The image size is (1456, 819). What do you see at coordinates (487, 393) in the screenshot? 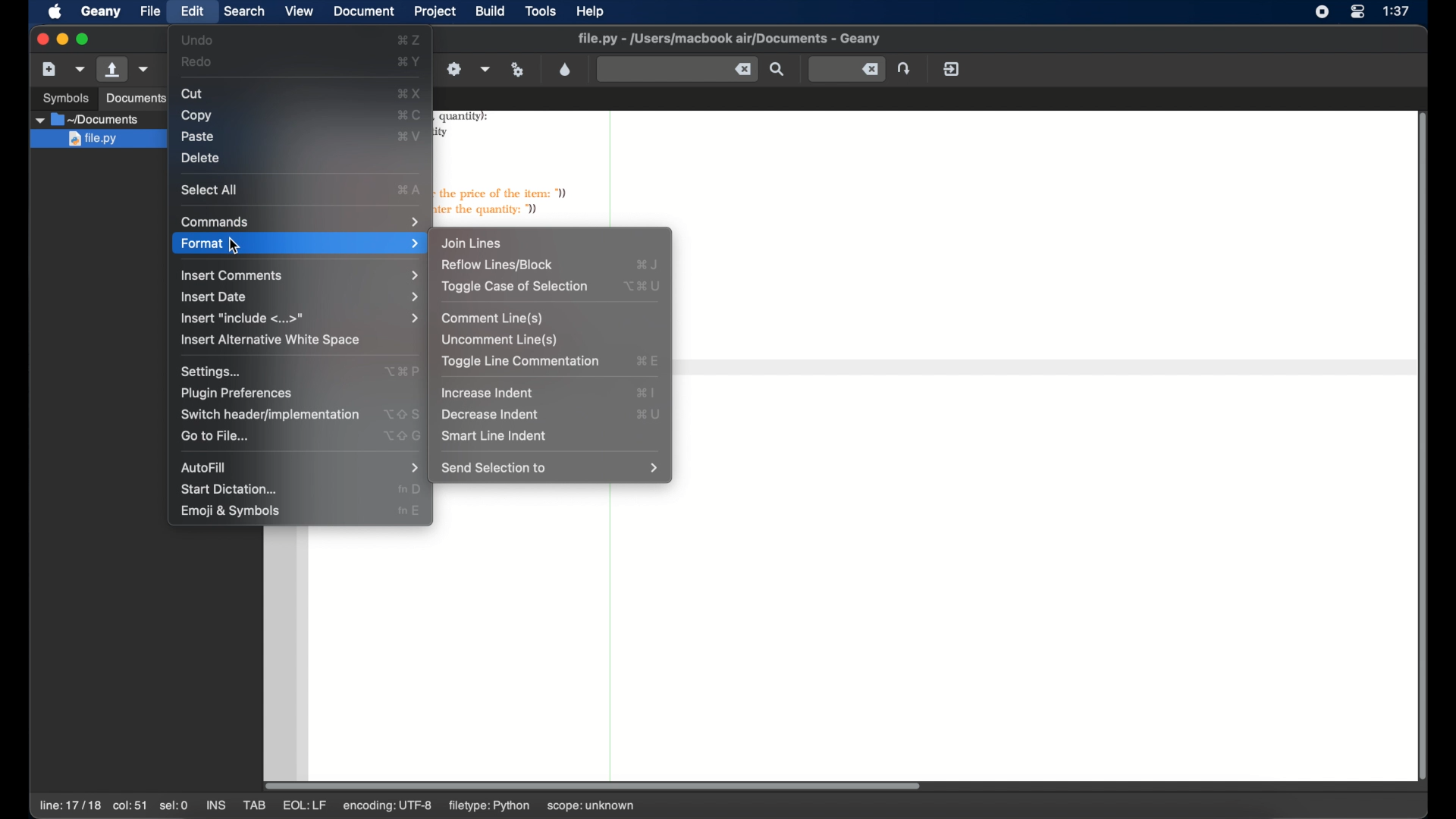
I see `increase indent` at bounding box center [487, 393].